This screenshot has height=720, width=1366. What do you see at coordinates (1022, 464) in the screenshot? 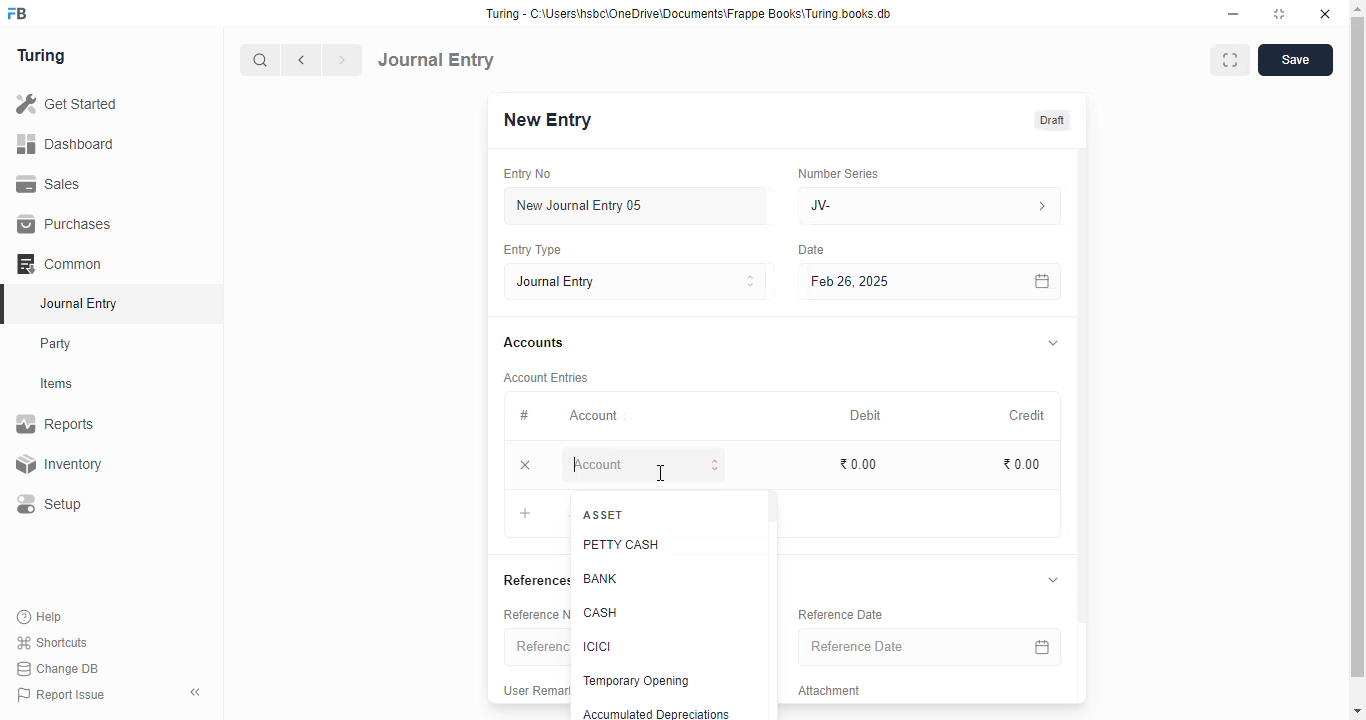
I see `₹0.00` at bounding box center [1022, 464].